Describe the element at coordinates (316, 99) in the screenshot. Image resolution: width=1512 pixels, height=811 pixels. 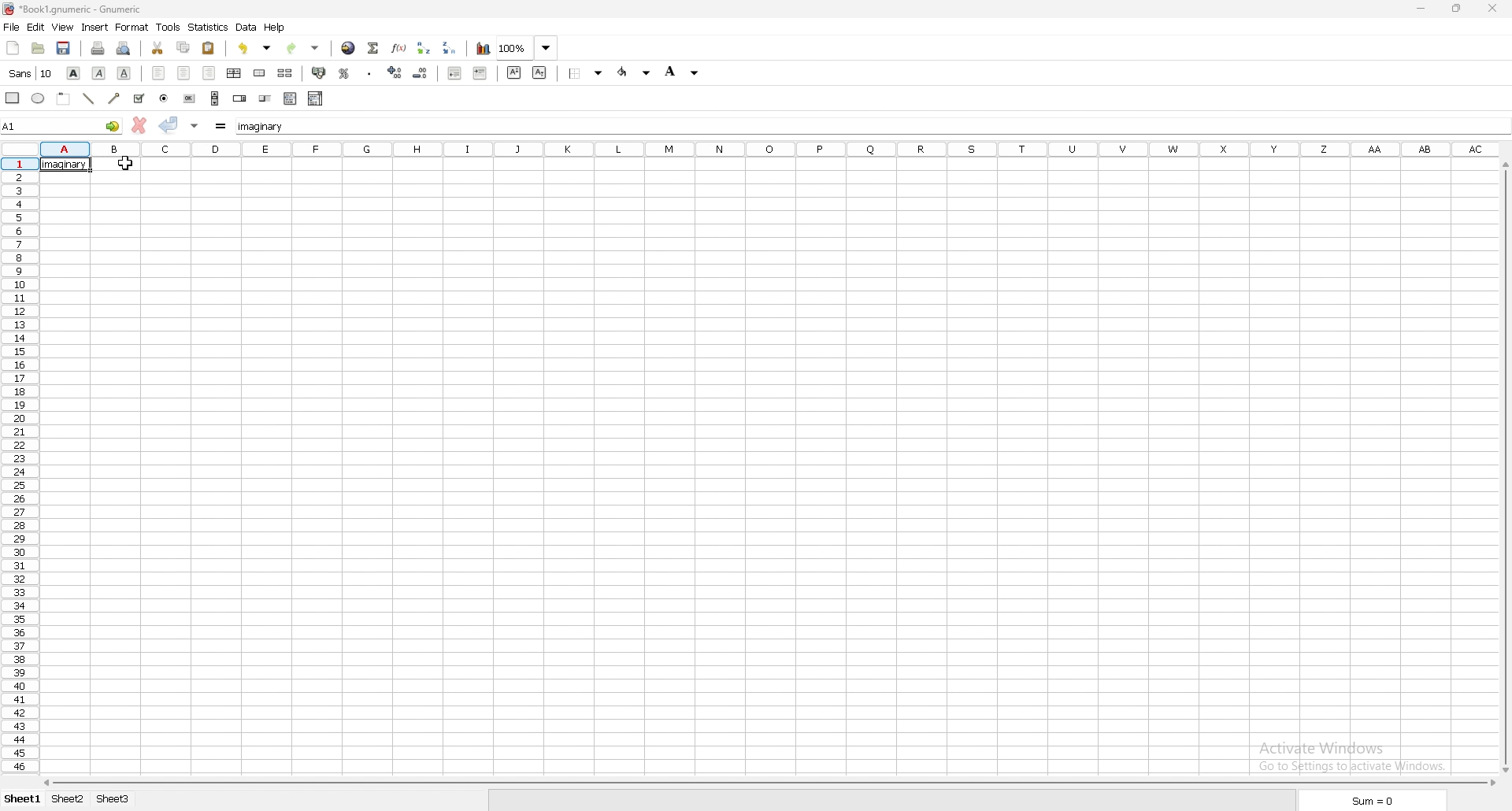
I see `combo box` at that location.